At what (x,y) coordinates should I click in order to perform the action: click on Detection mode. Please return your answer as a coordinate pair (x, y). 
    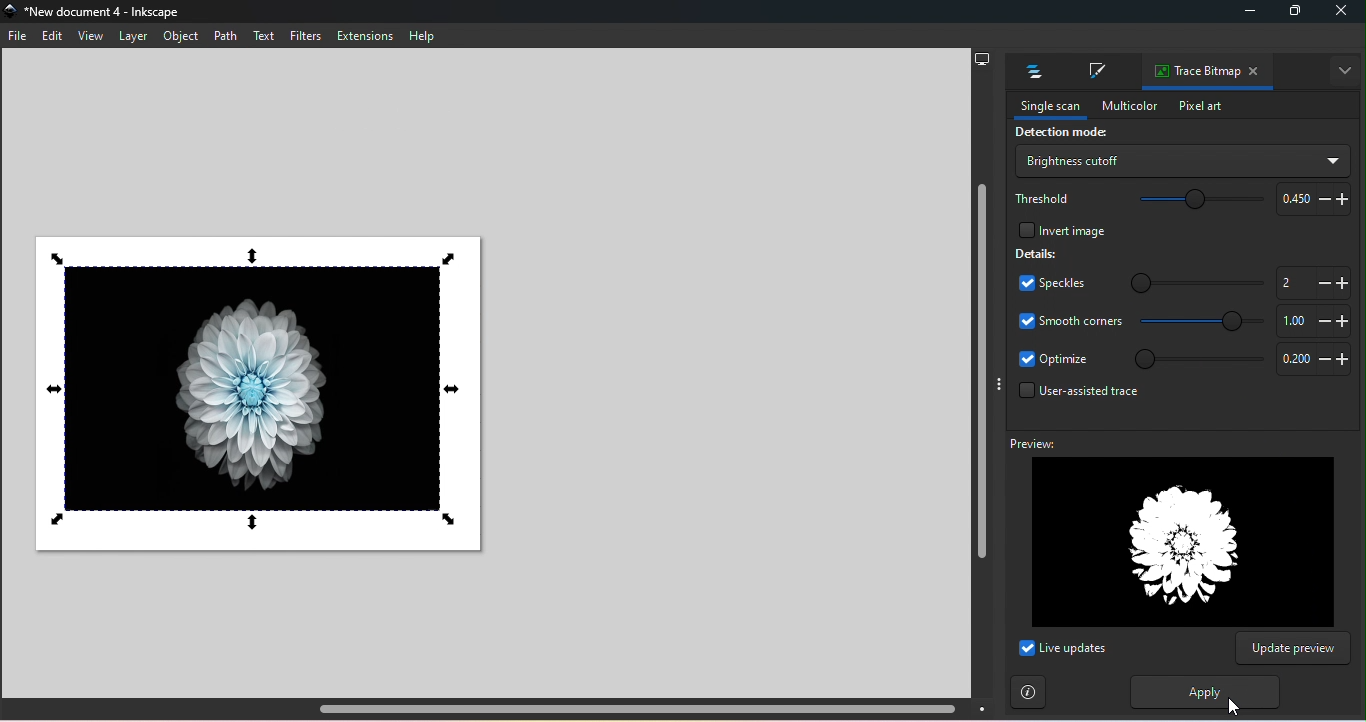
    Looking at the image, I should click on (1058, 134).